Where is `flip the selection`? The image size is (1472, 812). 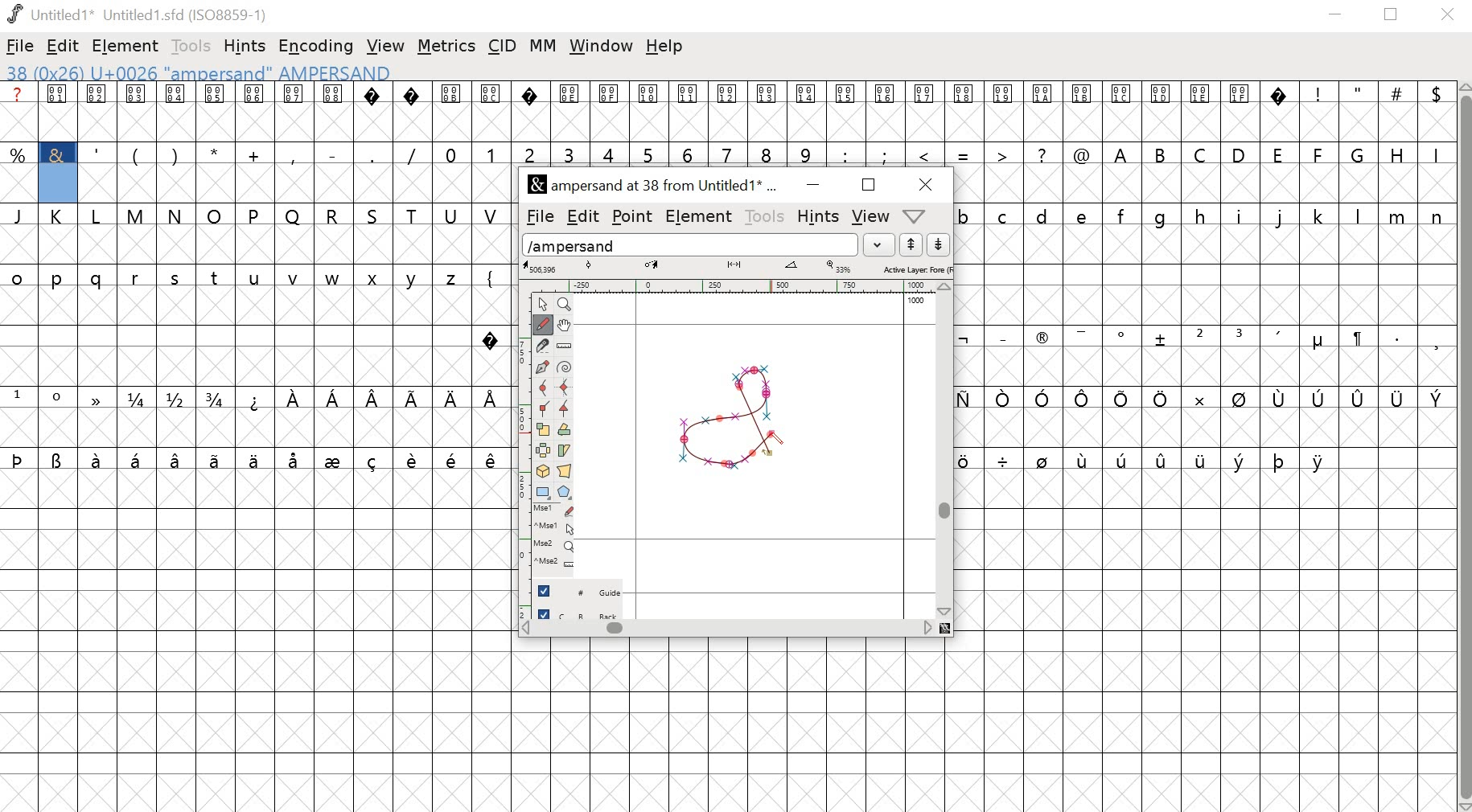 flip the selection is located at coordinates (545, 451).